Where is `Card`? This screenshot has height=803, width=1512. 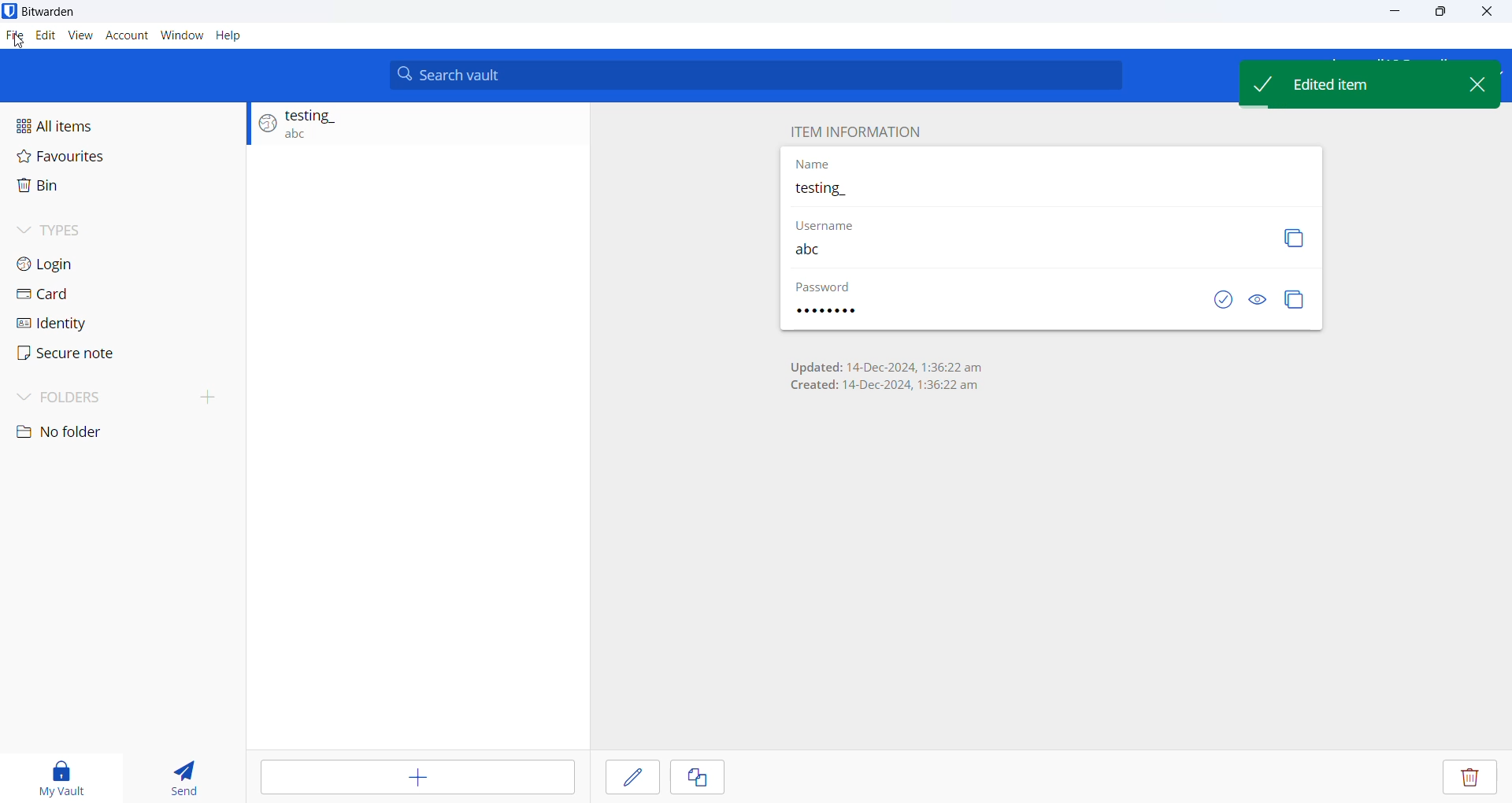
Card is located at coordinates (108, 295).